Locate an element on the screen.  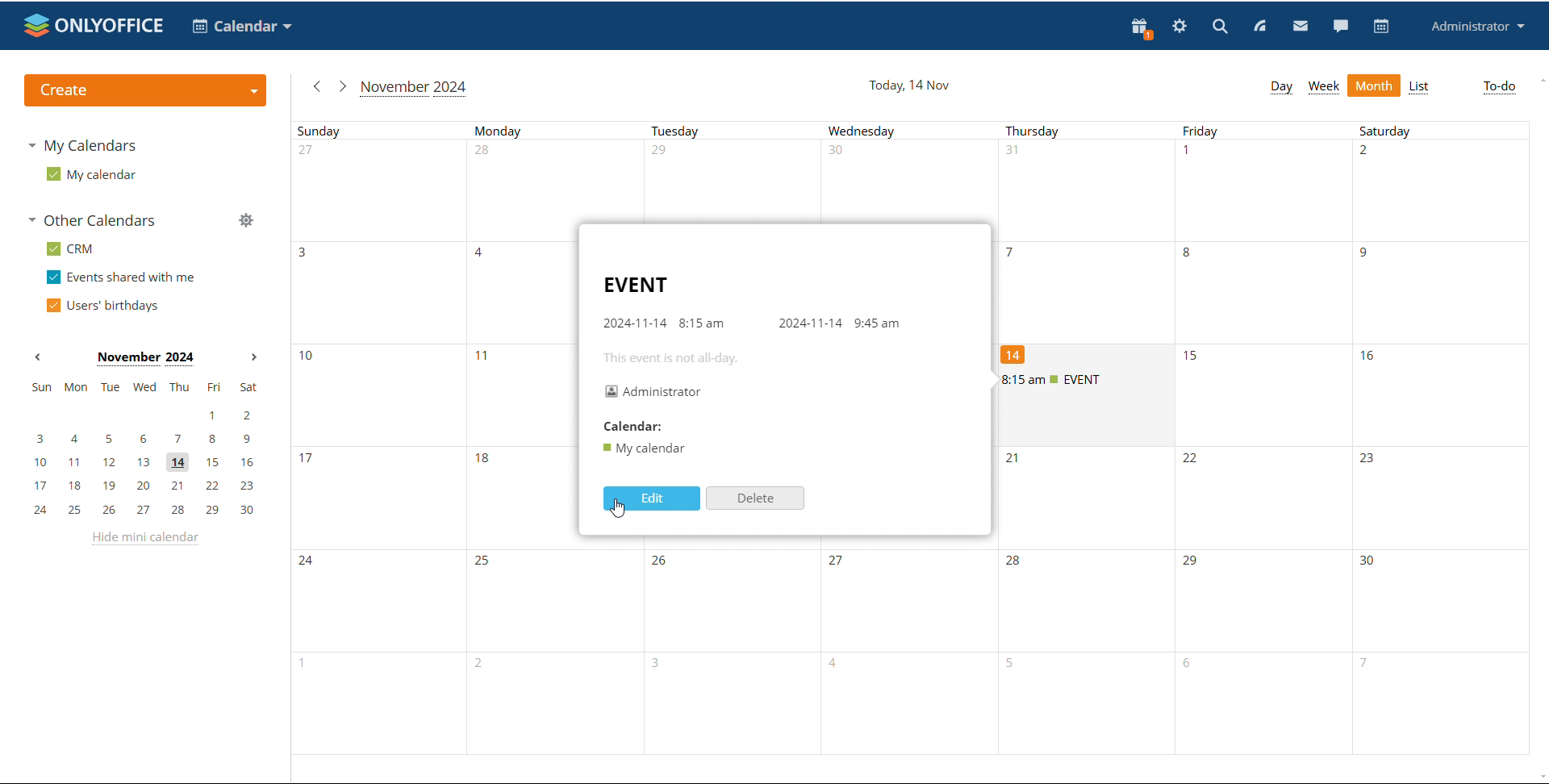
day view is located at coordinates (1281, 88).